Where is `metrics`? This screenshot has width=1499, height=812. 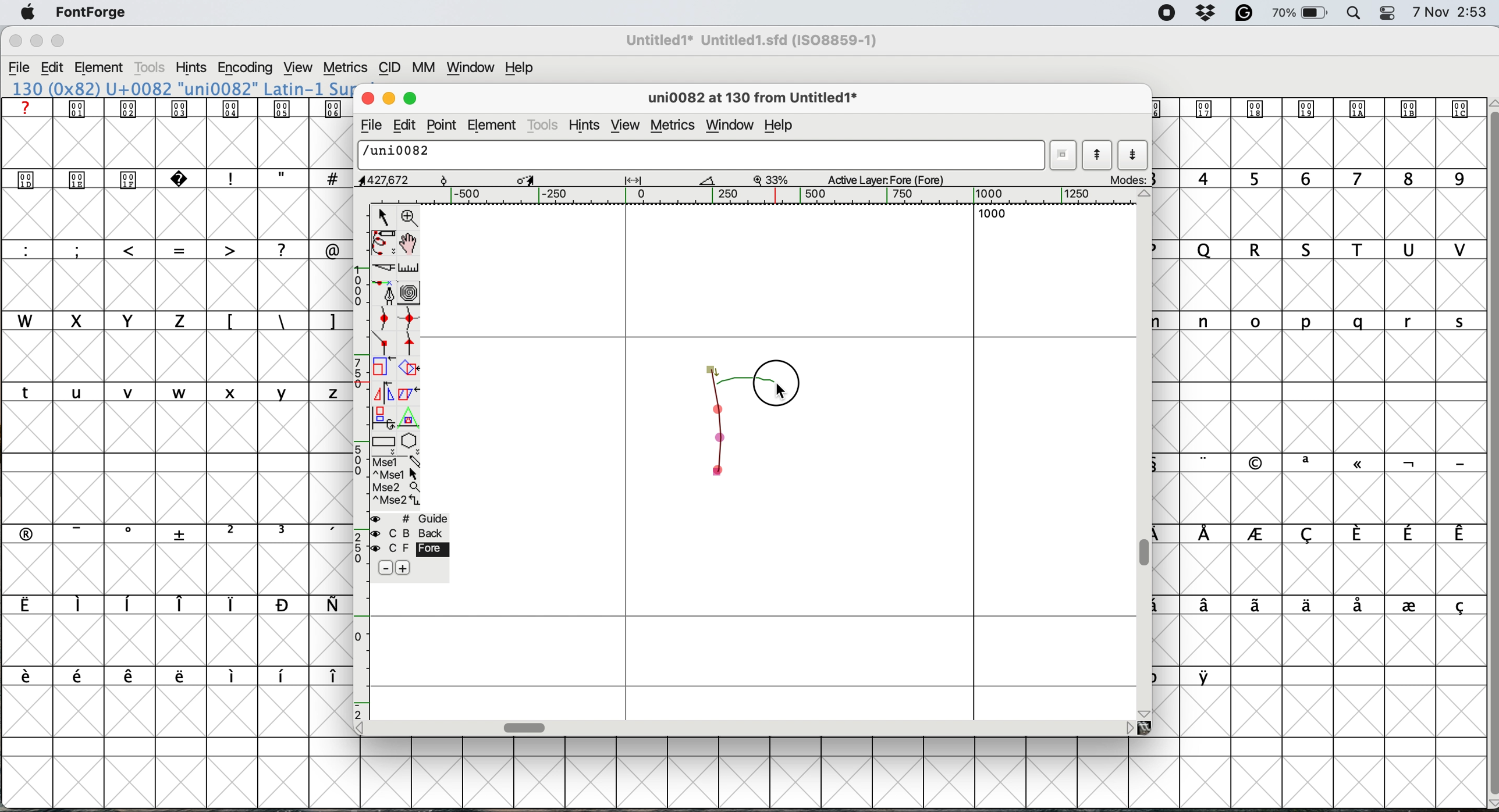
metrics is located at coordinates (347, 66).